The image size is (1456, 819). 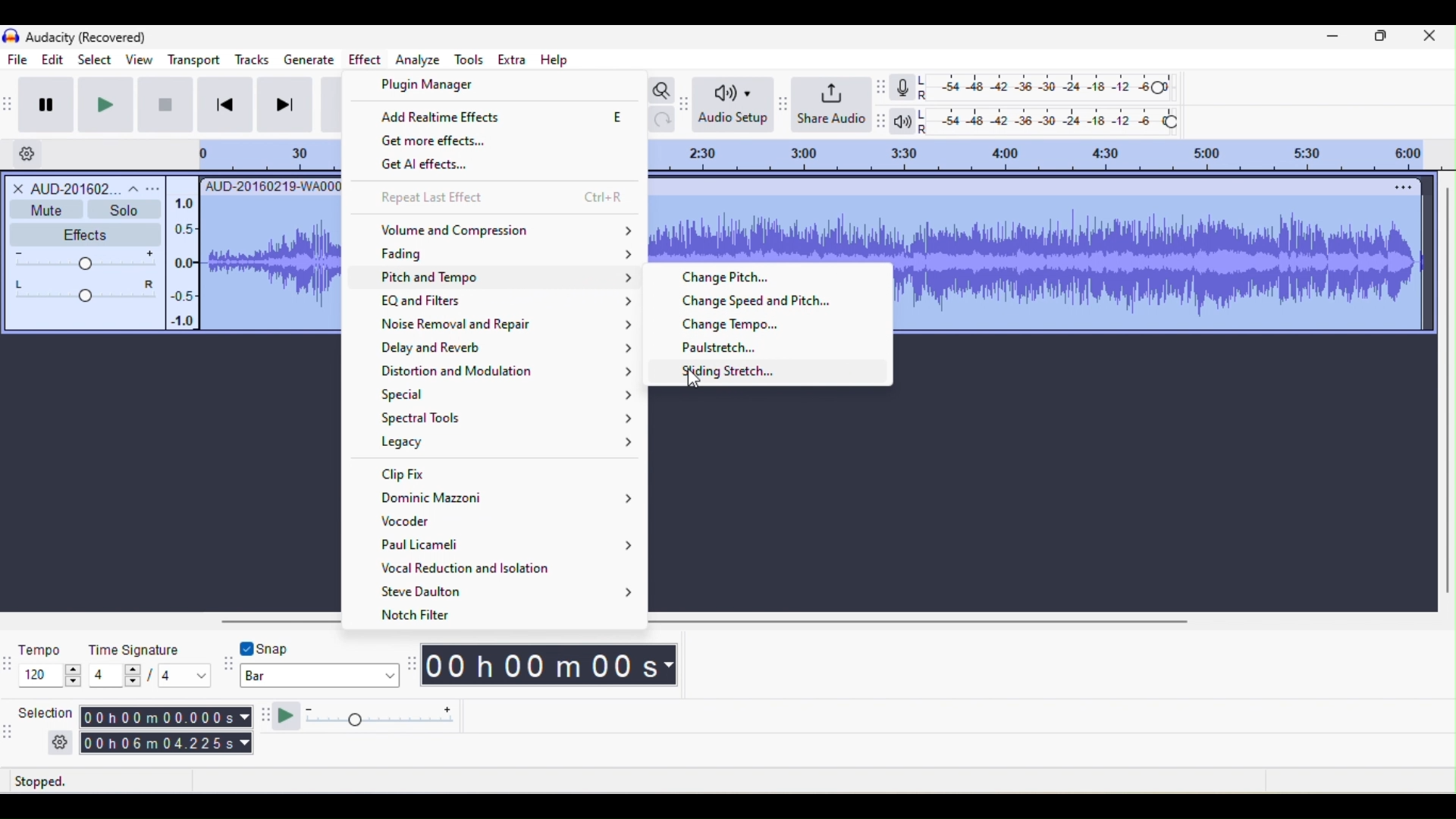 I want to click on share audio, so click(x=832, y=102).